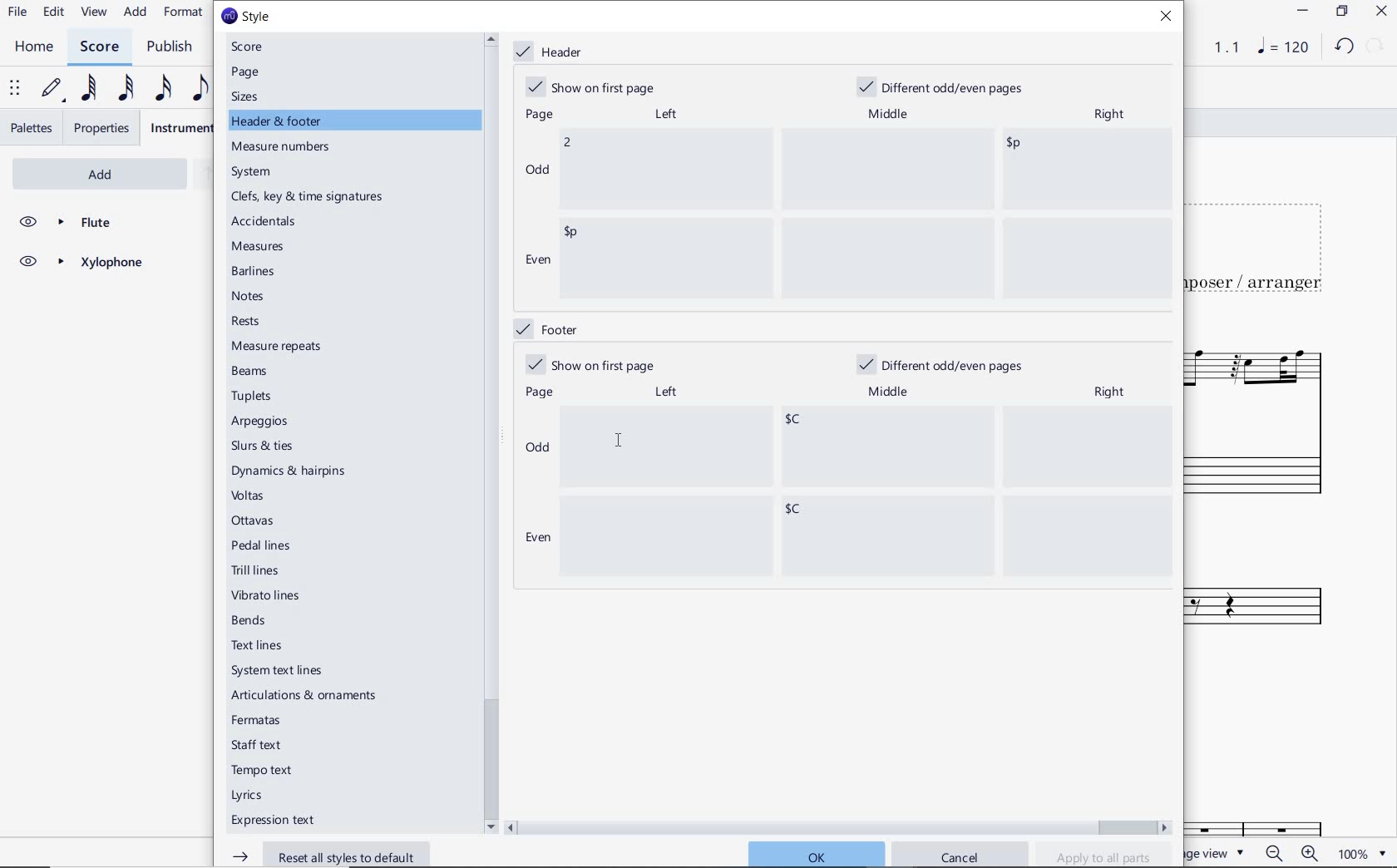 The height and width of the screenshot is (868, 1397). Describe the element at coordinates (249, 96) in the screenshot. I see `sizes` at that location.